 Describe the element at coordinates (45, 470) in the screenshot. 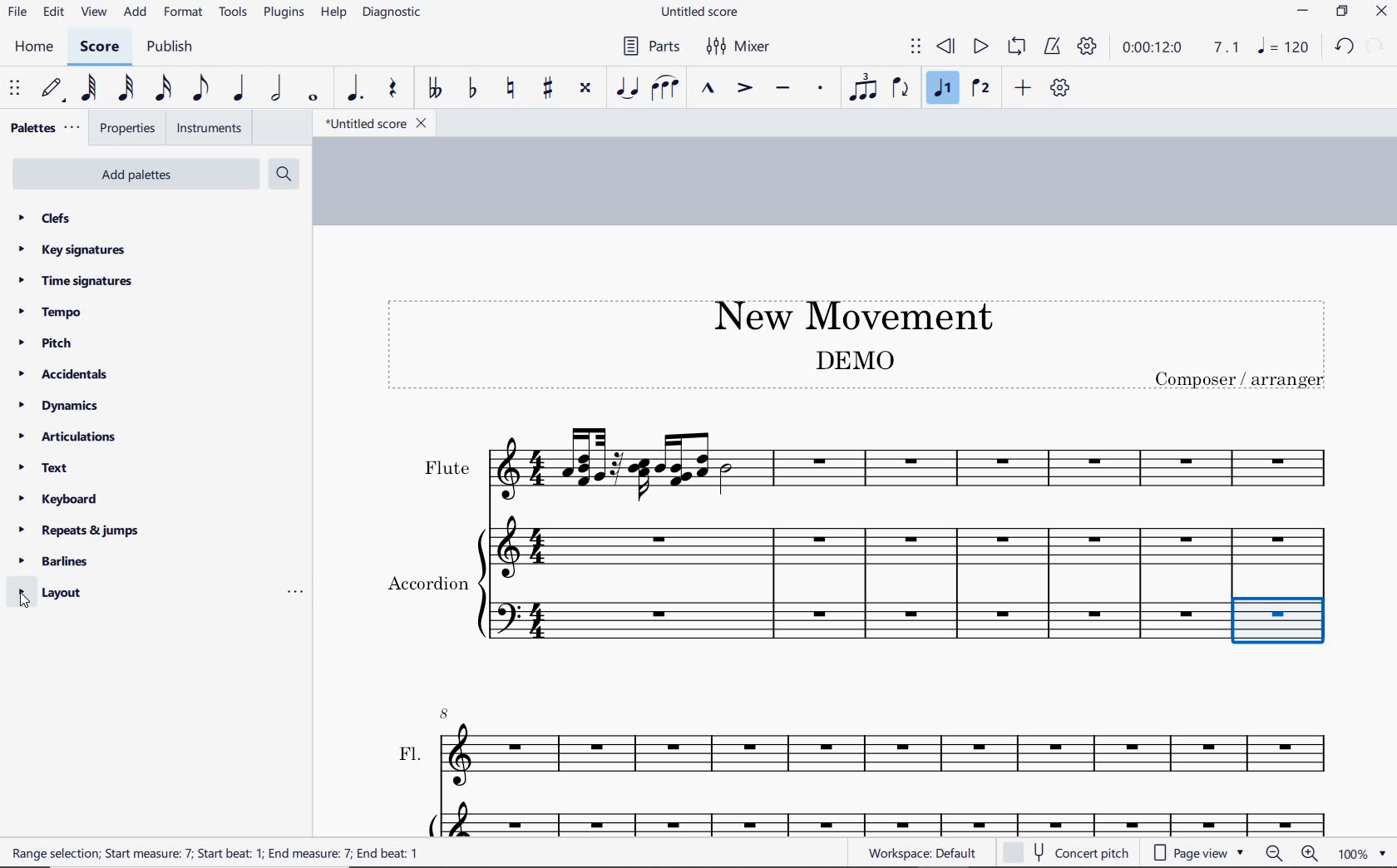

I see `text` at that location.